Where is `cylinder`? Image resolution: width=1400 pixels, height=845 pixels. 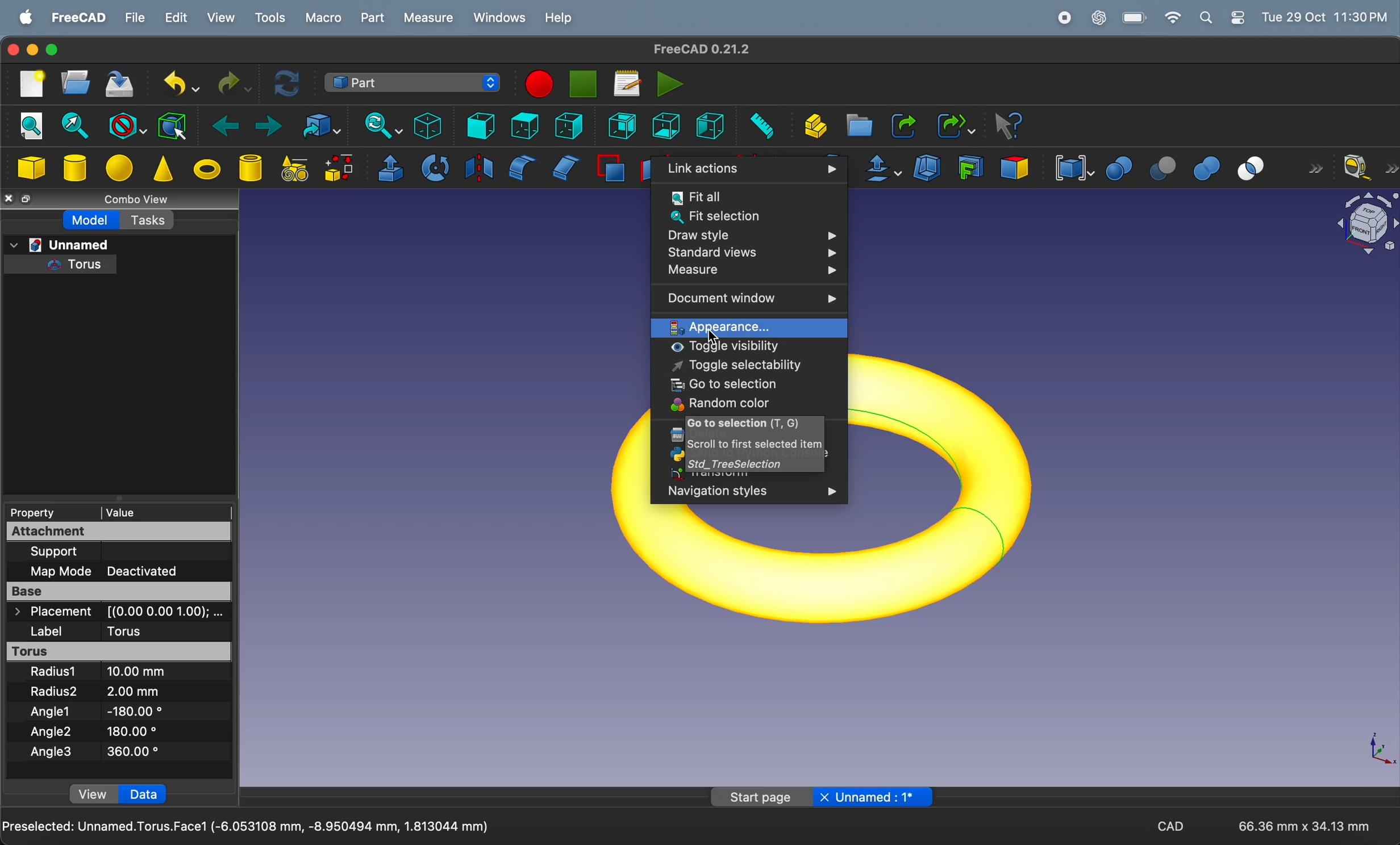 cylinder is located at coordinates (252, 169).